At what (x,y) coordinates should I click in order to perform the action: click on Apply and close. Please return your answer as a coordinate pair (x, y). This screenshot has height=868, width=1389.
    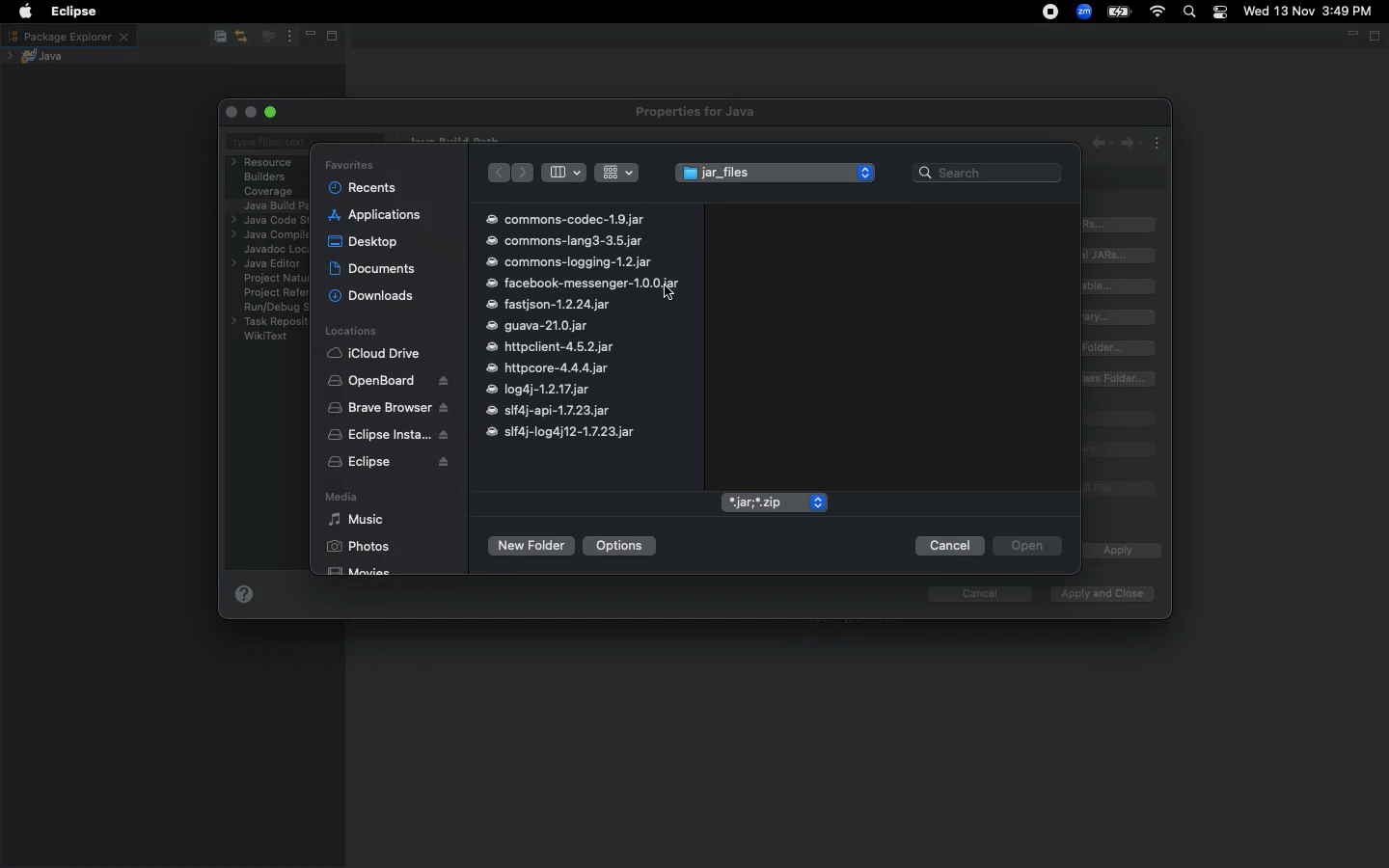
    Looking at the image, I should click on (1098, 594).